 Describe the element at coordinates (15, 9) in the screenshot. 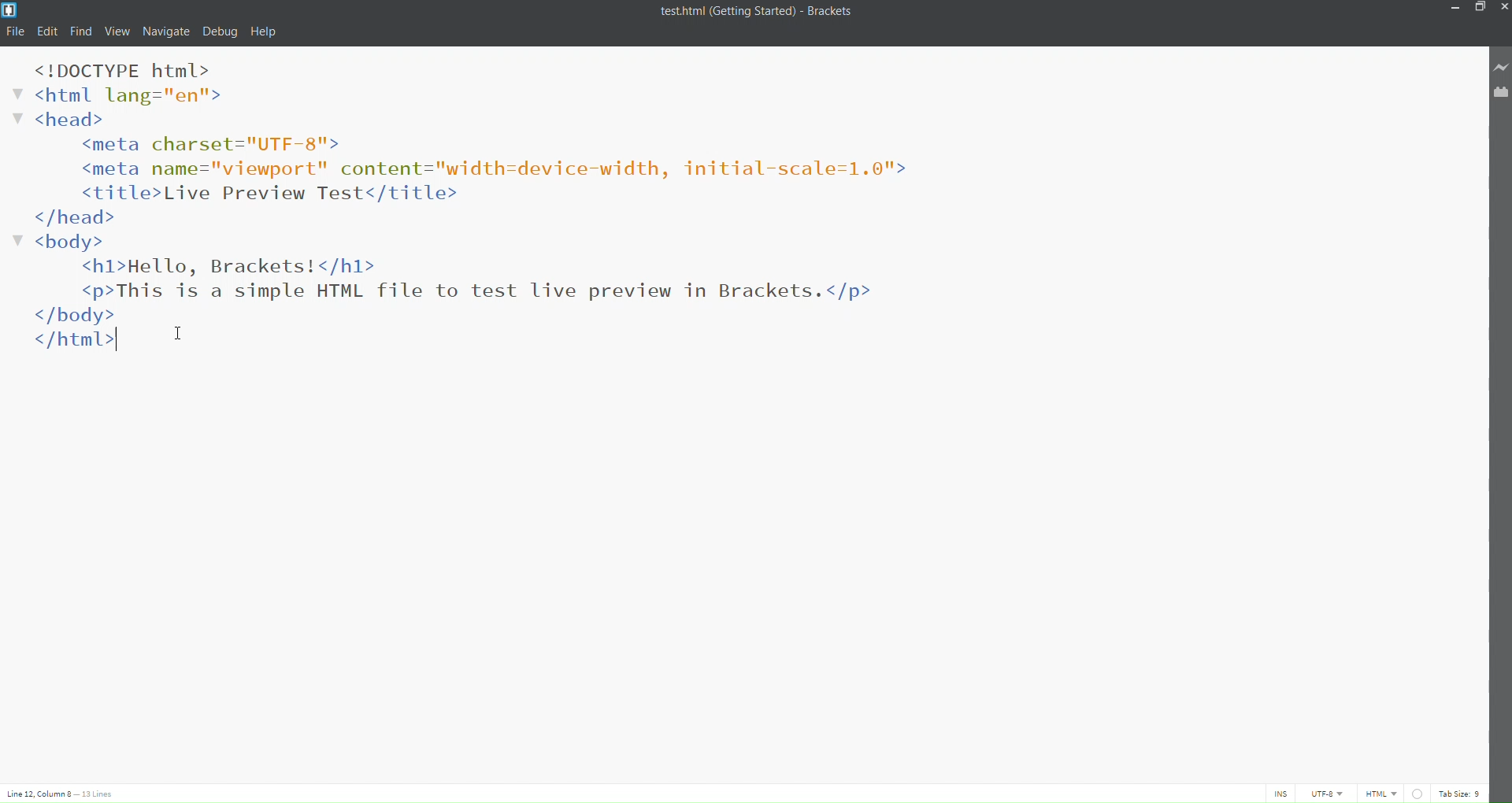

I see `Logo` at that location.